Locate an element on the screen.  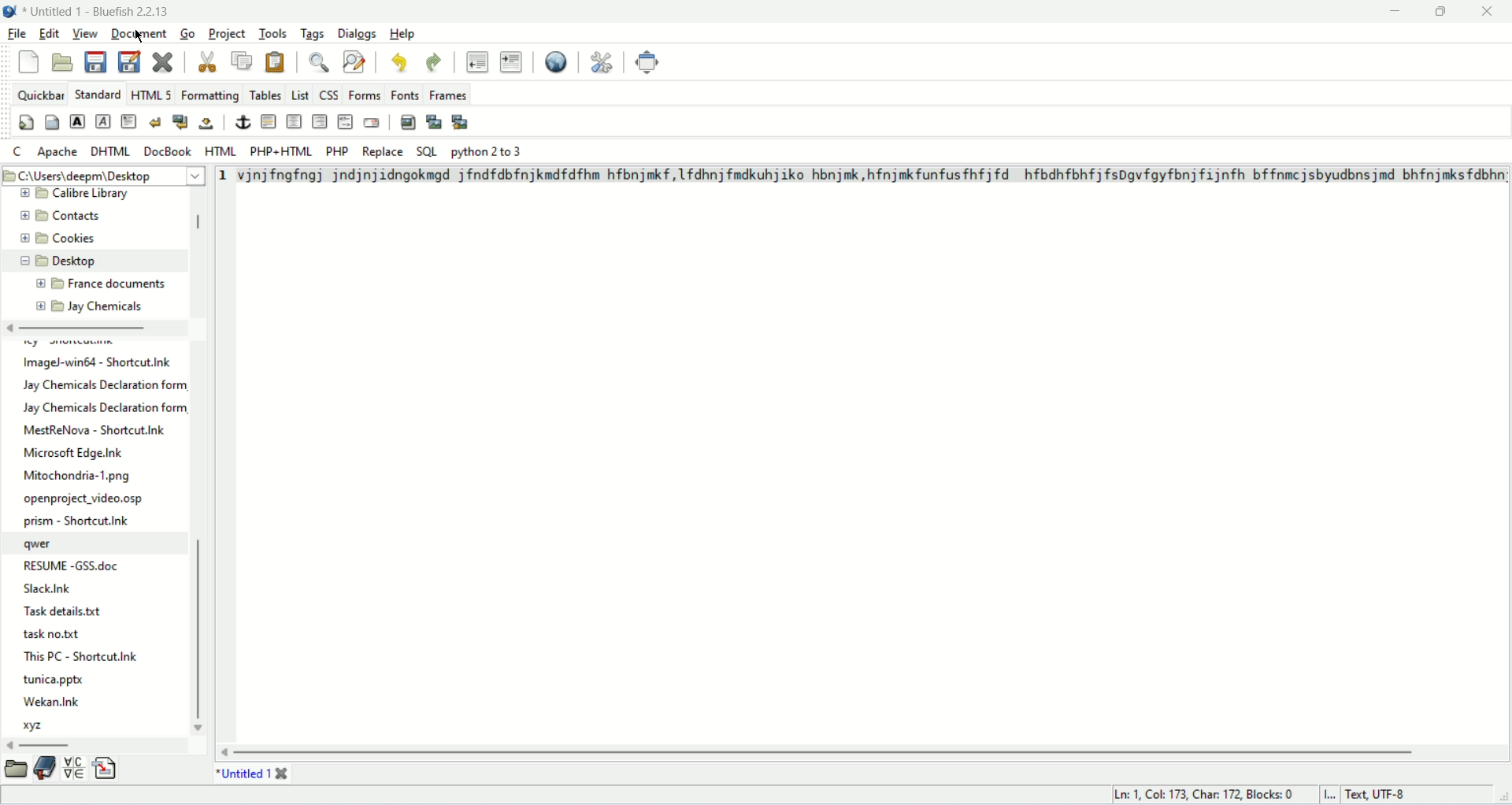
task no.txt is located at coordinates (52, 636).